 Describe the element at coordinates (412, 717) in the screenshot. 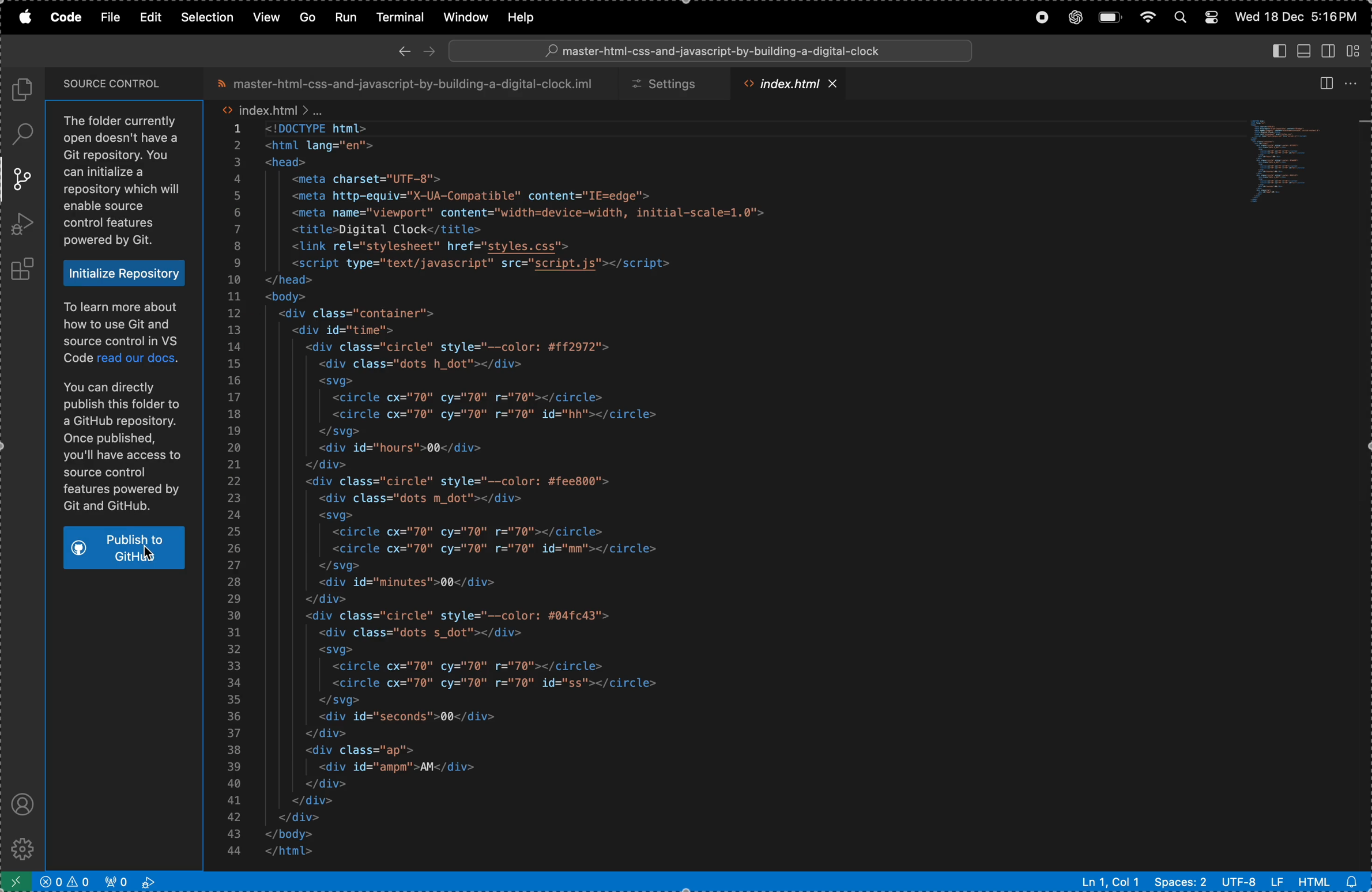

I see `<div id="seconds">00</div>` at that location.